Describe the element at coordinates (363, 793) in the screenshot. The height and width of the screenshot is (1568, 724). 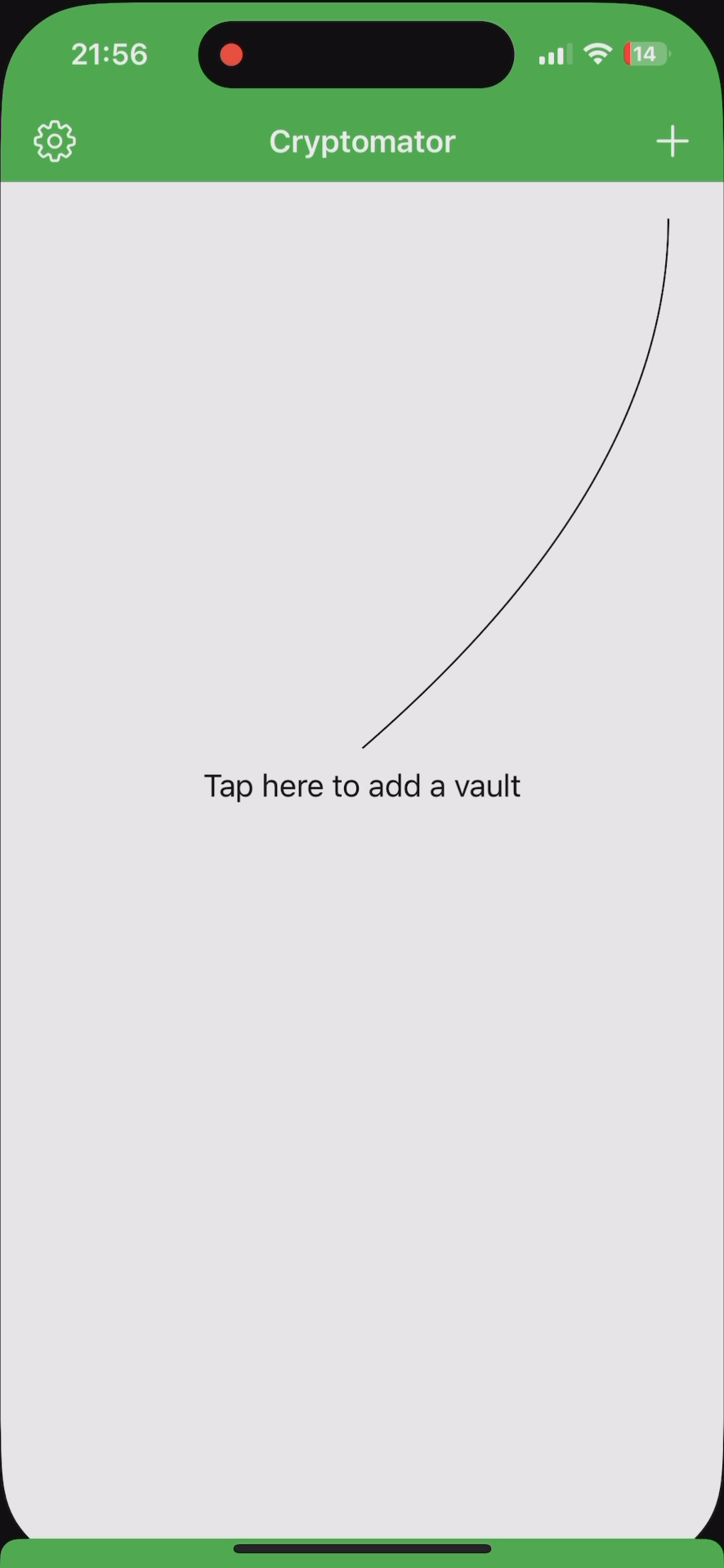
I see `tap here to add a vault` at that location.